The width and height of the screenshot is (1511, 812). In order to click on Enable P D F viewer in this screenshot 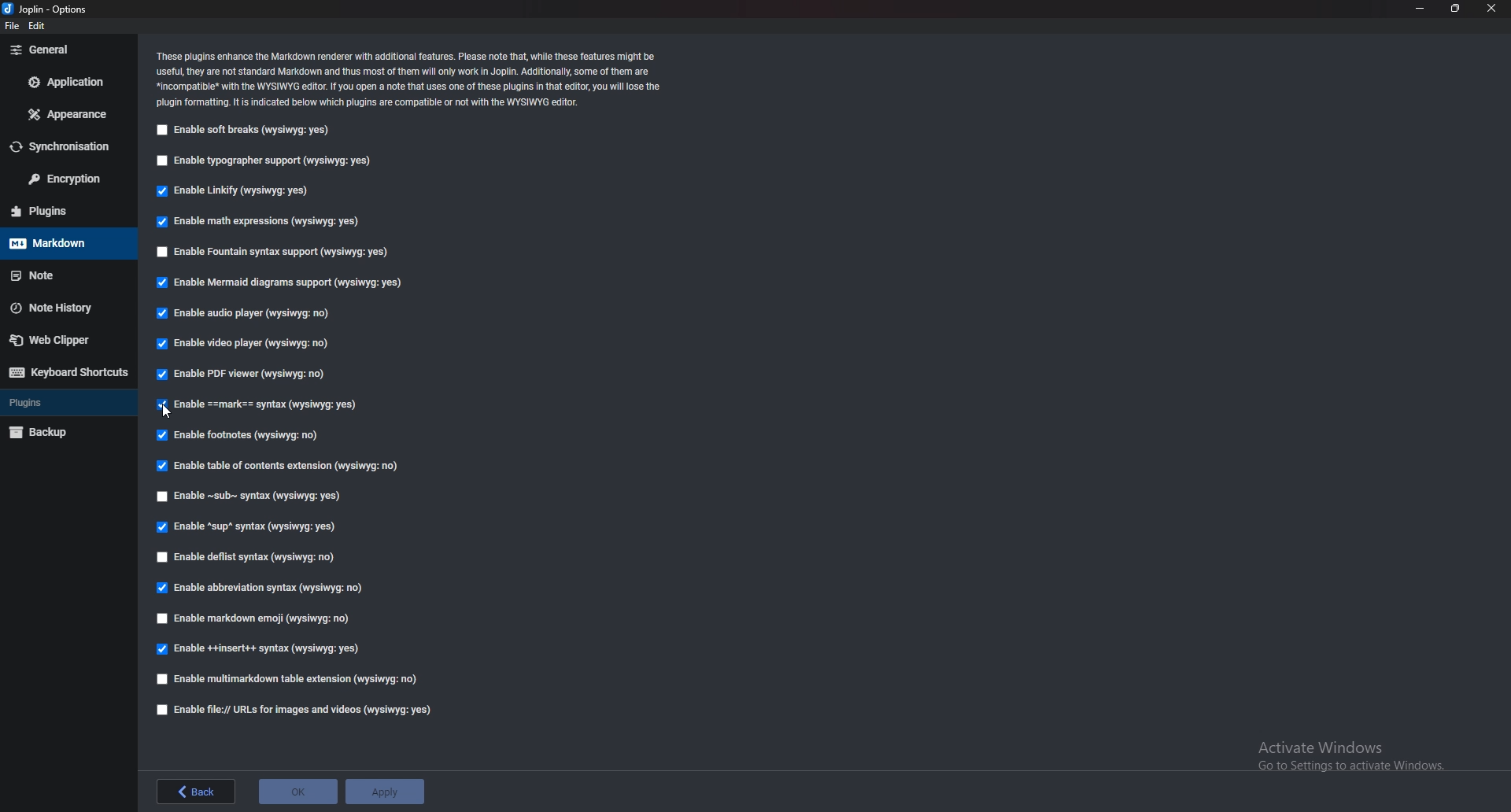, I will do `click(250, 375)`.